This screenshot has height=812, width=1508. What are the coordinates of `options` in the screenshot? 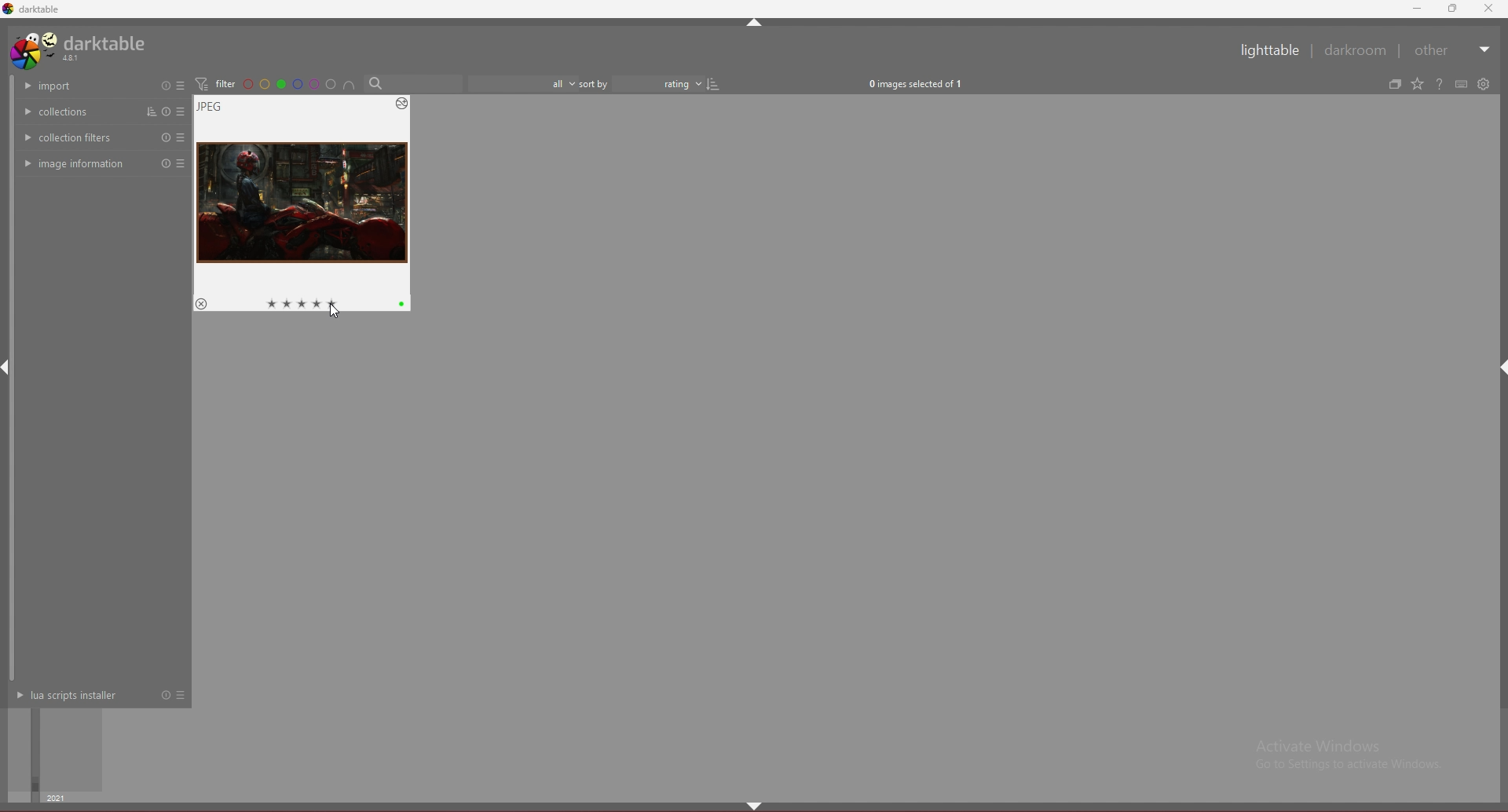 It's located at (401, 104).